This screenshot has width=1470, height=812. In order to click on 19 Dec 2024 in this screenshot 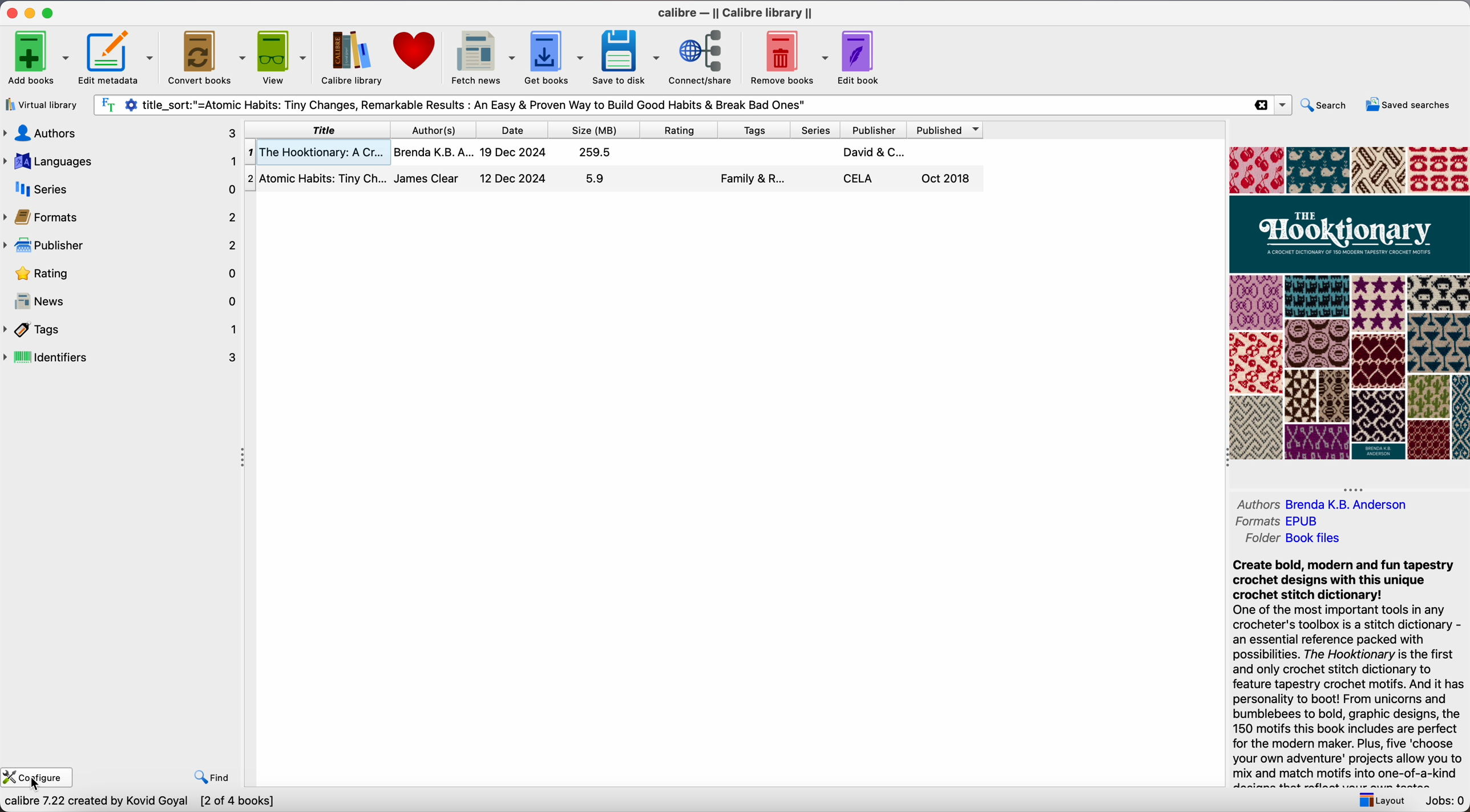, I will do `click(511, 152)`.